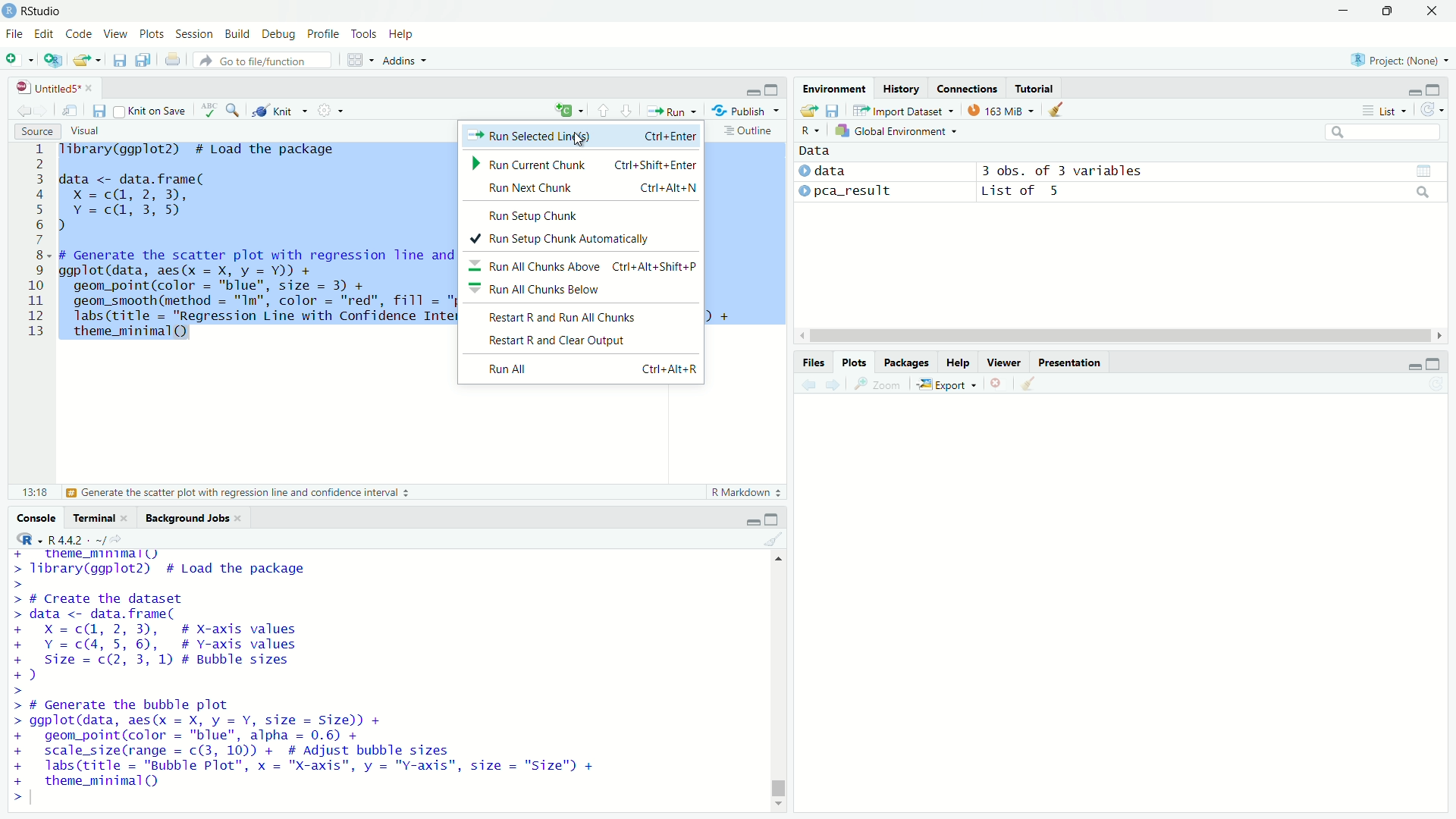  I want to click on Terminal, so click(90, 516).